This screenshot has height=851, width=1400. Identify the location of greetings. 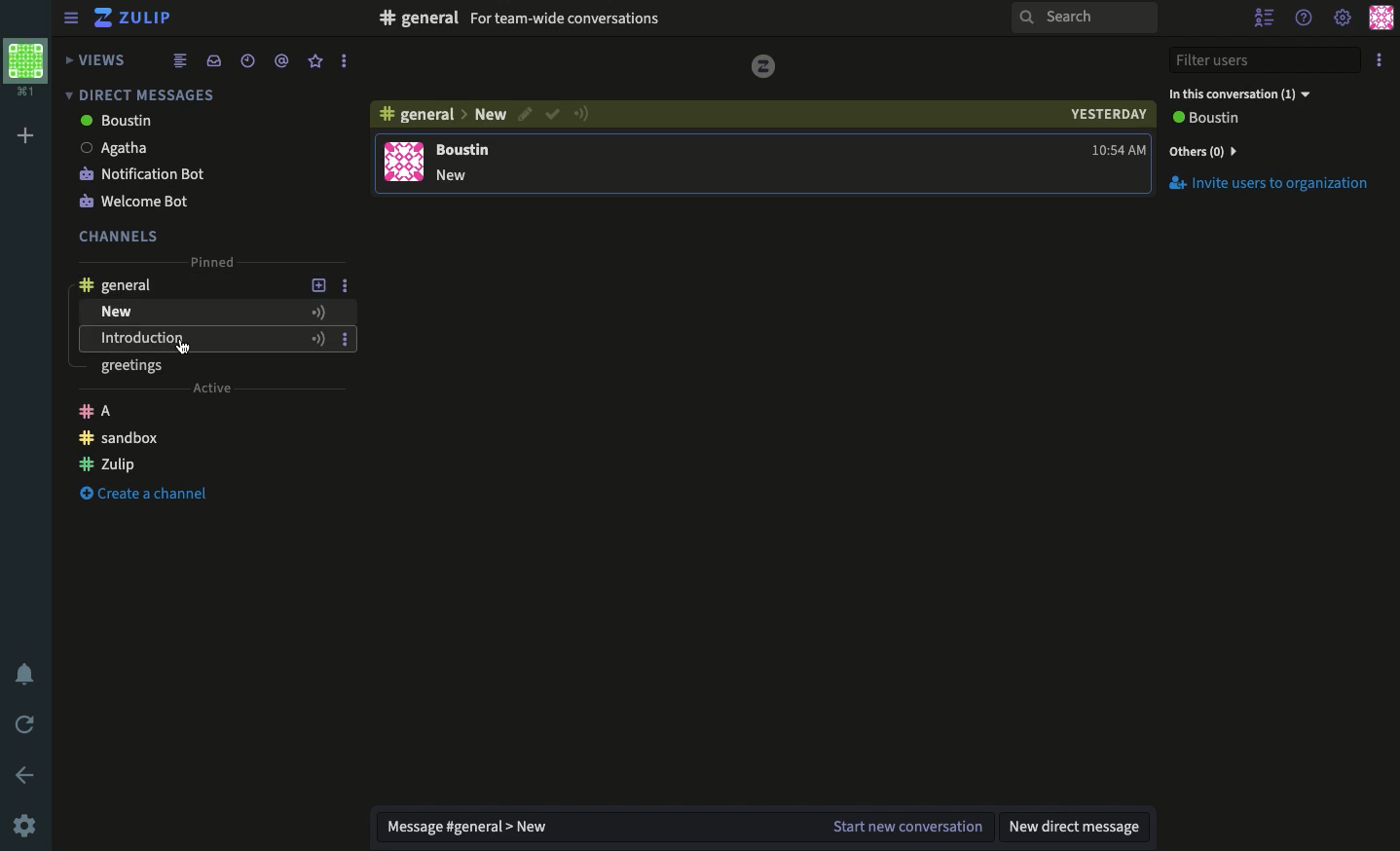
(212, 365).